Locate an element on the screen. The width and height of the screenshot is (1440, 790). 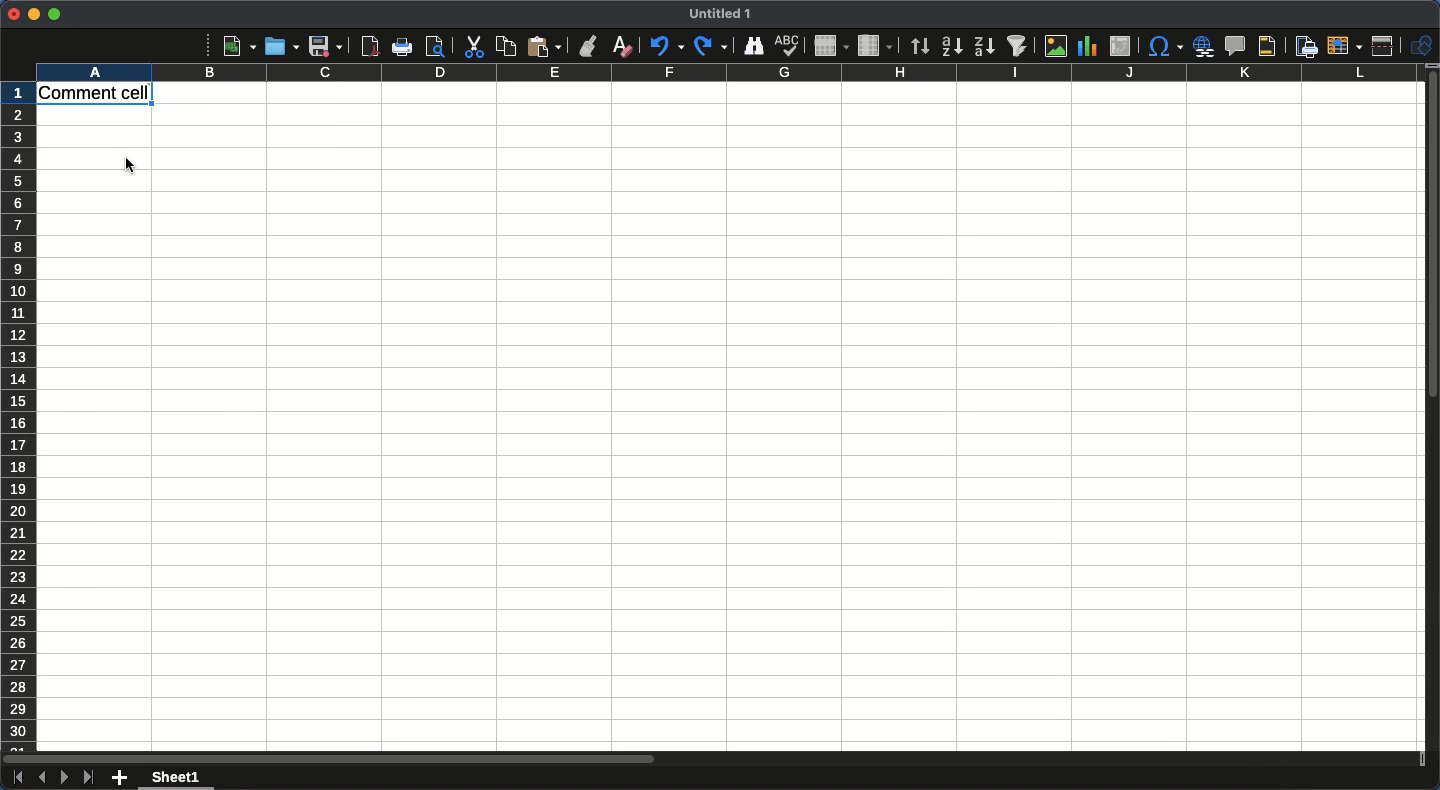
Insert edit or pivot table is located at coordinates (1120, 45).